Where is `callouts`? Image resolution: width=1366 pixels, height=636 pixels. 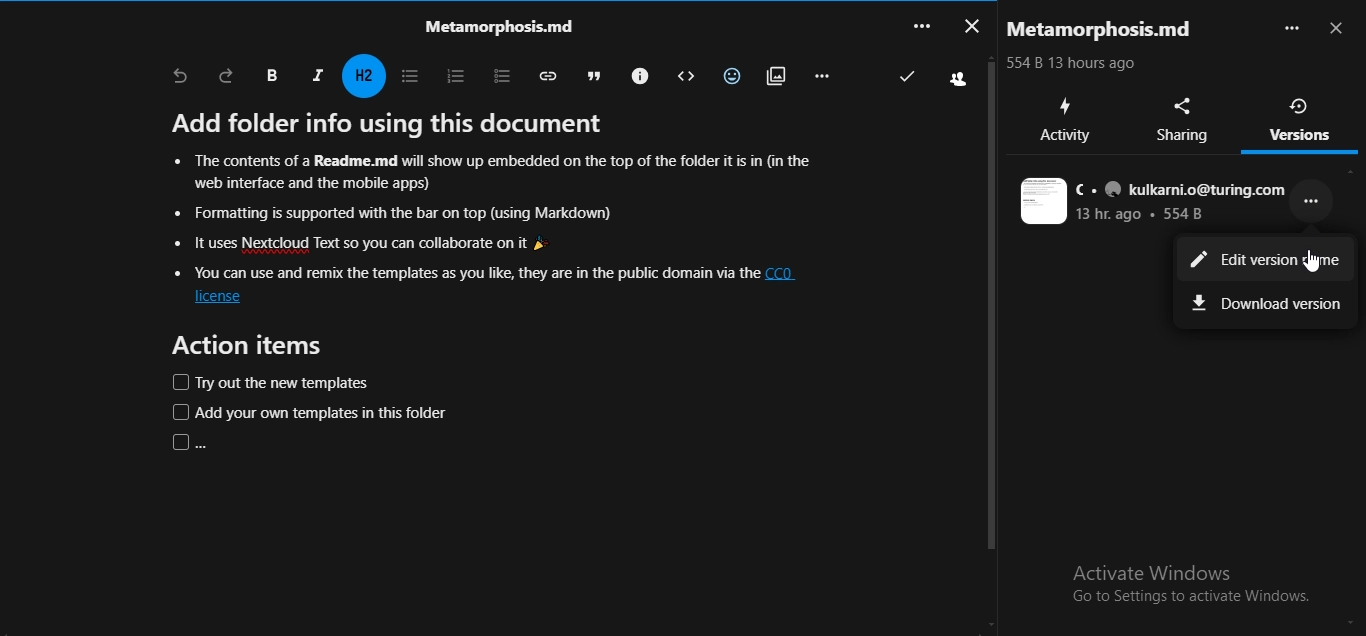 callouts is located at coordinates (637, 74).